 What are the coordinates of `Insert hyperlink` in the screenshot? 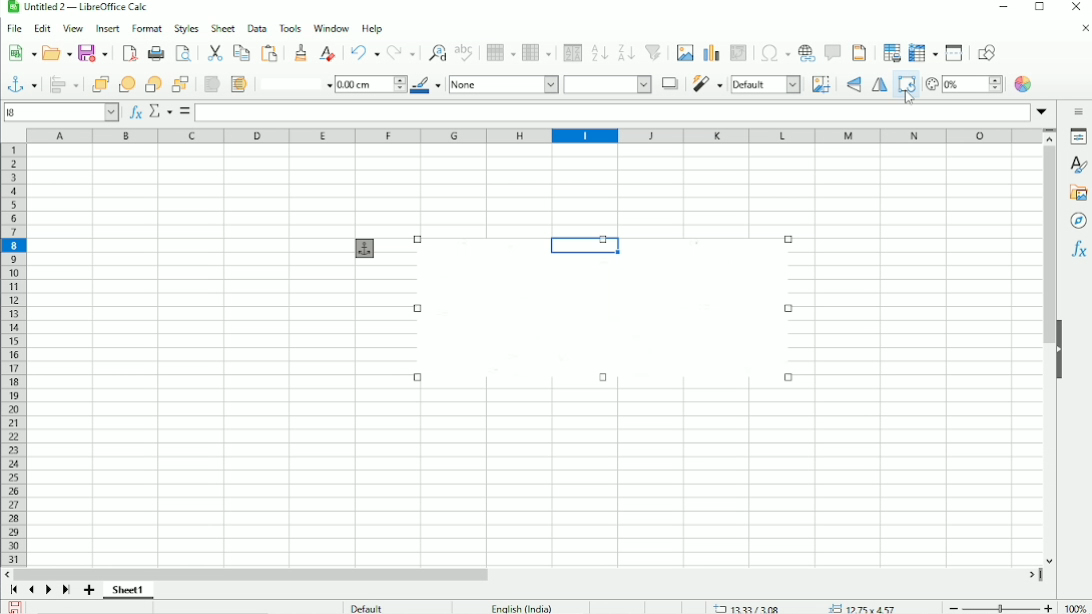 It's located at (806, 53).